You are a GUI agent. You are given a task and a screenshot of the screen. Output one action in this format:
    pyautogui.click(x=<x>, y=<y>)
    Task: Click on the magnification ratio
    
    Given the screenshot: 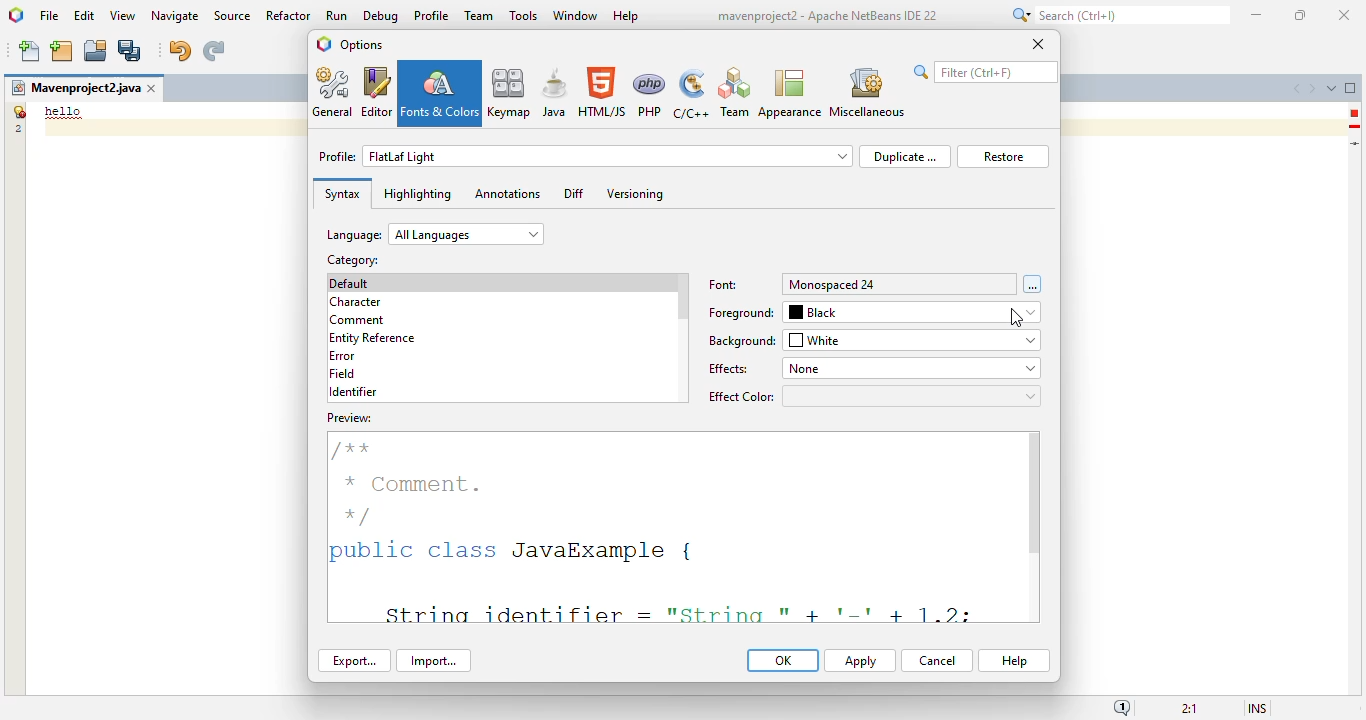 What is the action you would take?
    pyautogui.click(x=1188, y=707)
    